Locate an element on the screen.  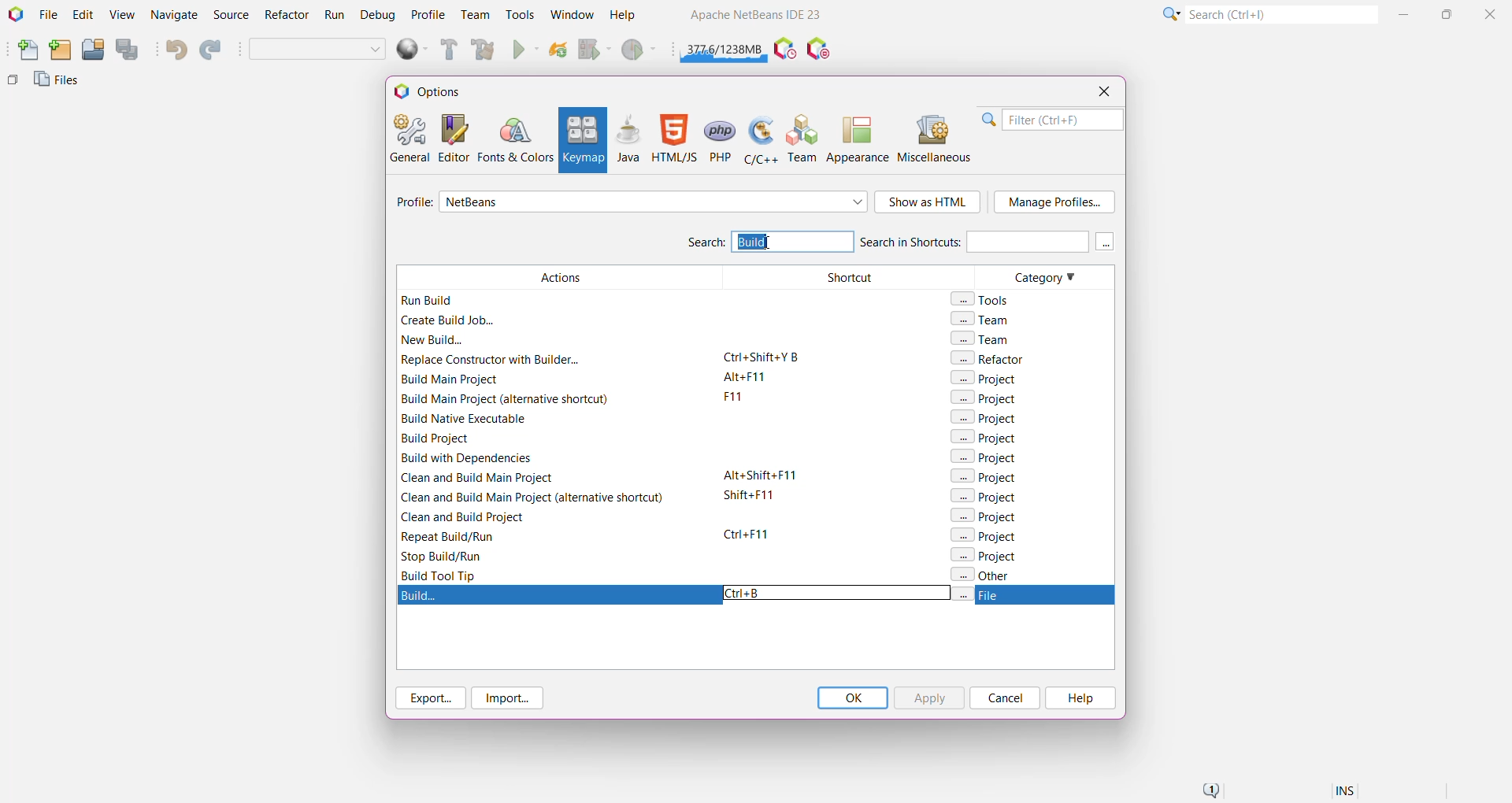
Search is located at coordinates (705, 244).